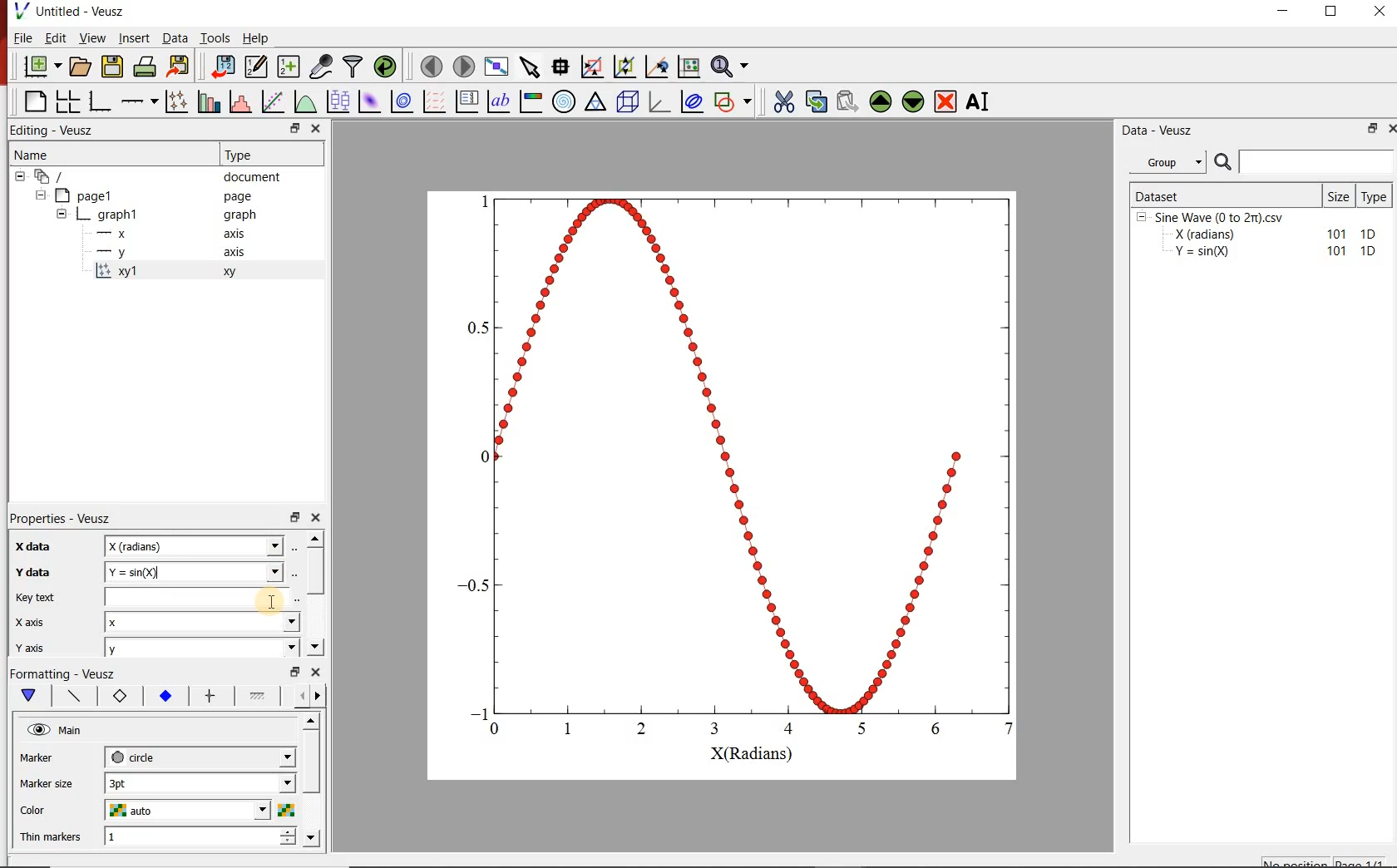  I want to click on textbox, so click(200, 571).